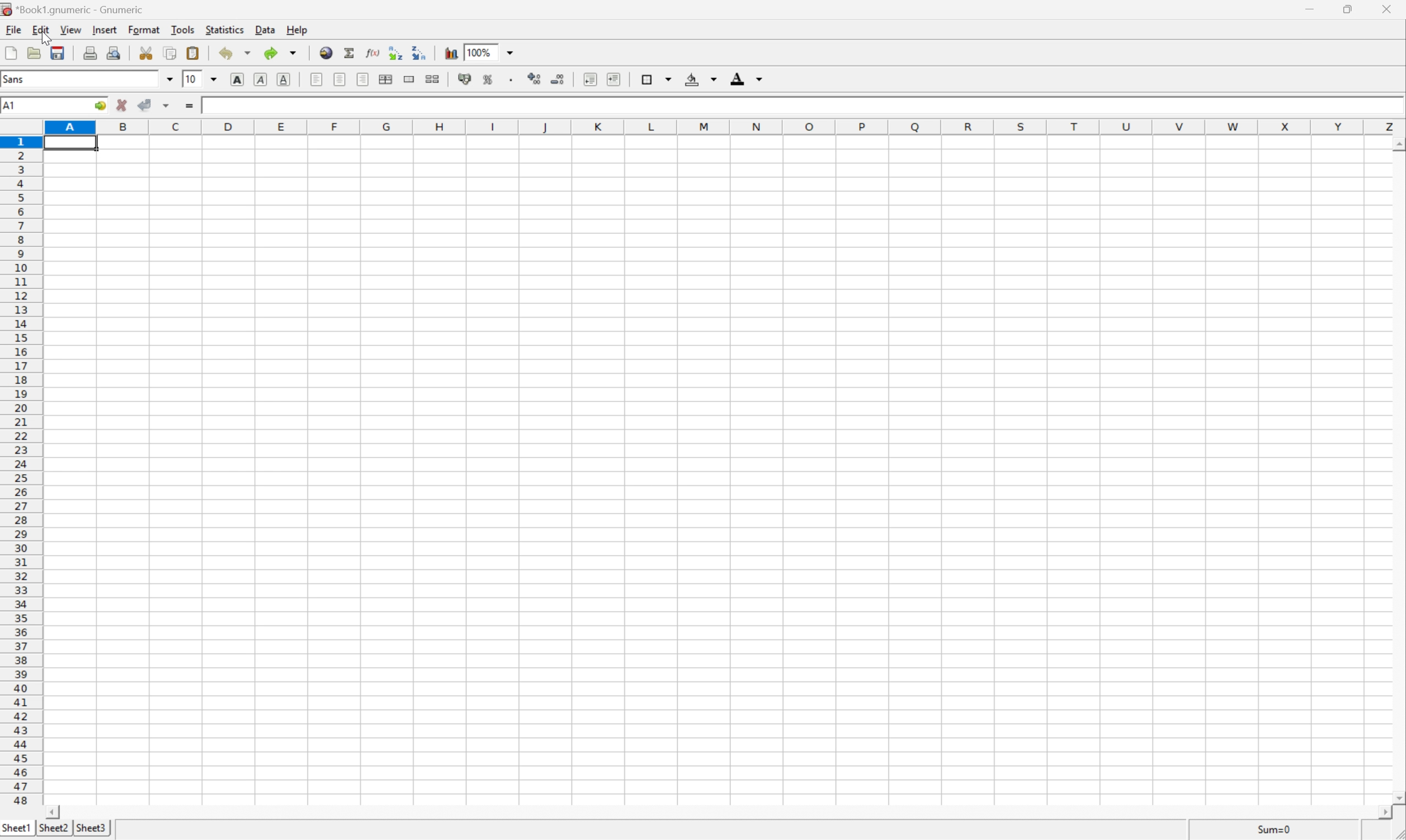  What do you see at coordinates (259, 78) in the screenshot?
I see `italic` at bounding box center [259, 78].